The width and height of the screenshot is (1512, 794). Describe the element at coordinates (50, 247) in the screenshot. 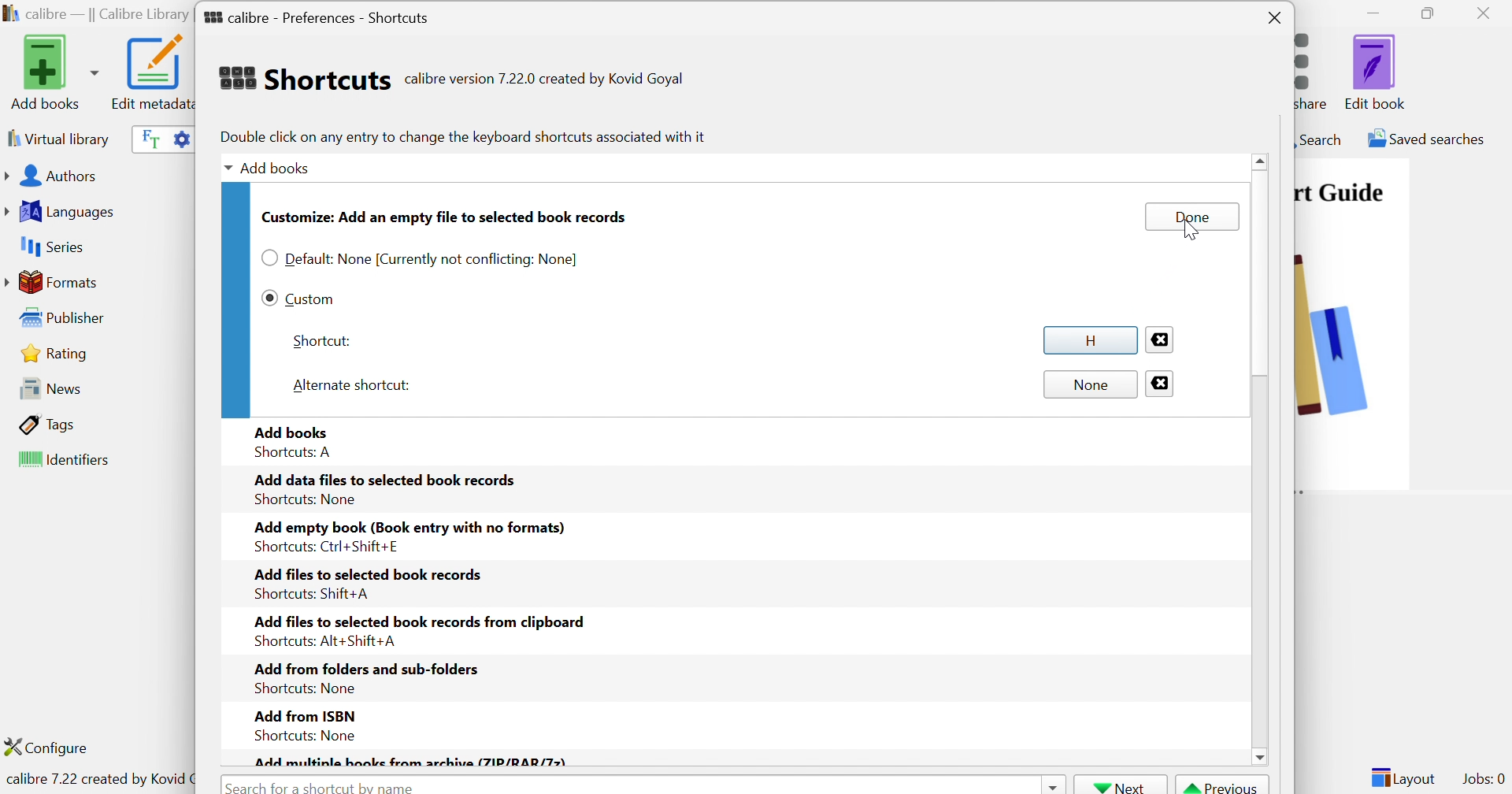

I see `Series` at that location.